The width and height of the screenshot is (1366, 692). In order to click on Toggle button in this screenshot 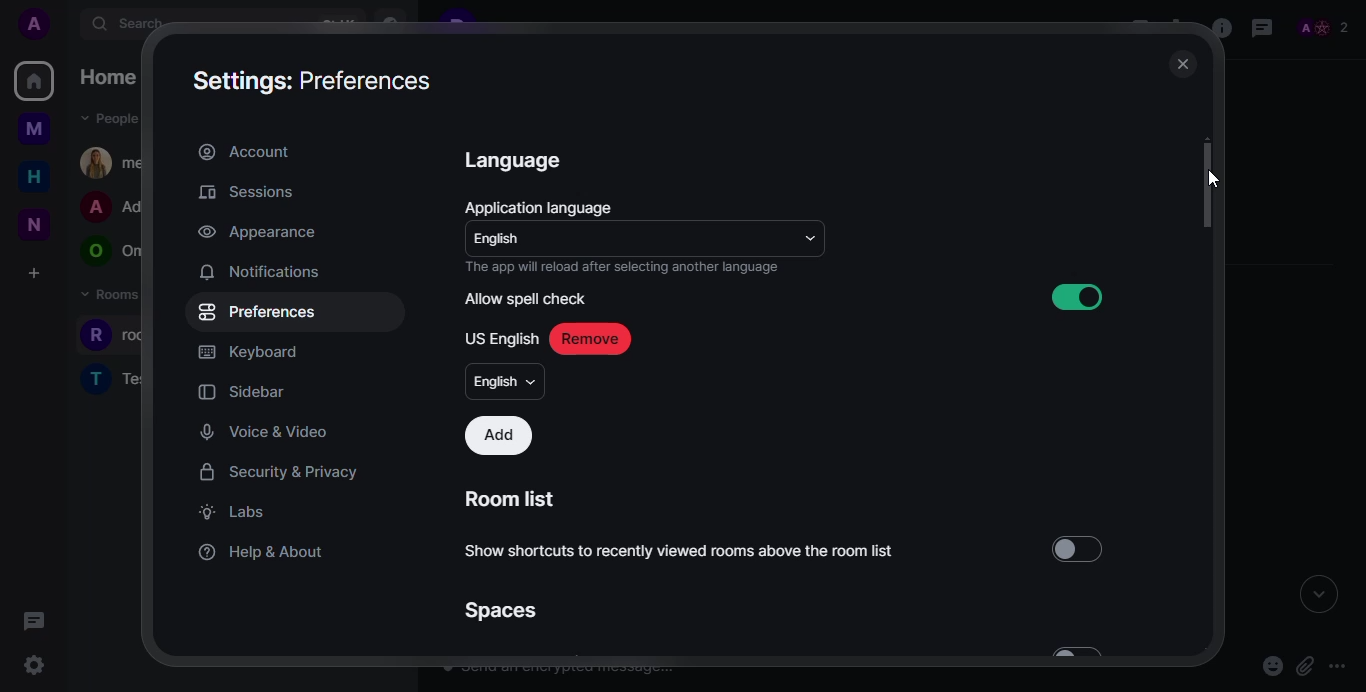, I will do `click(1072, 296)`.